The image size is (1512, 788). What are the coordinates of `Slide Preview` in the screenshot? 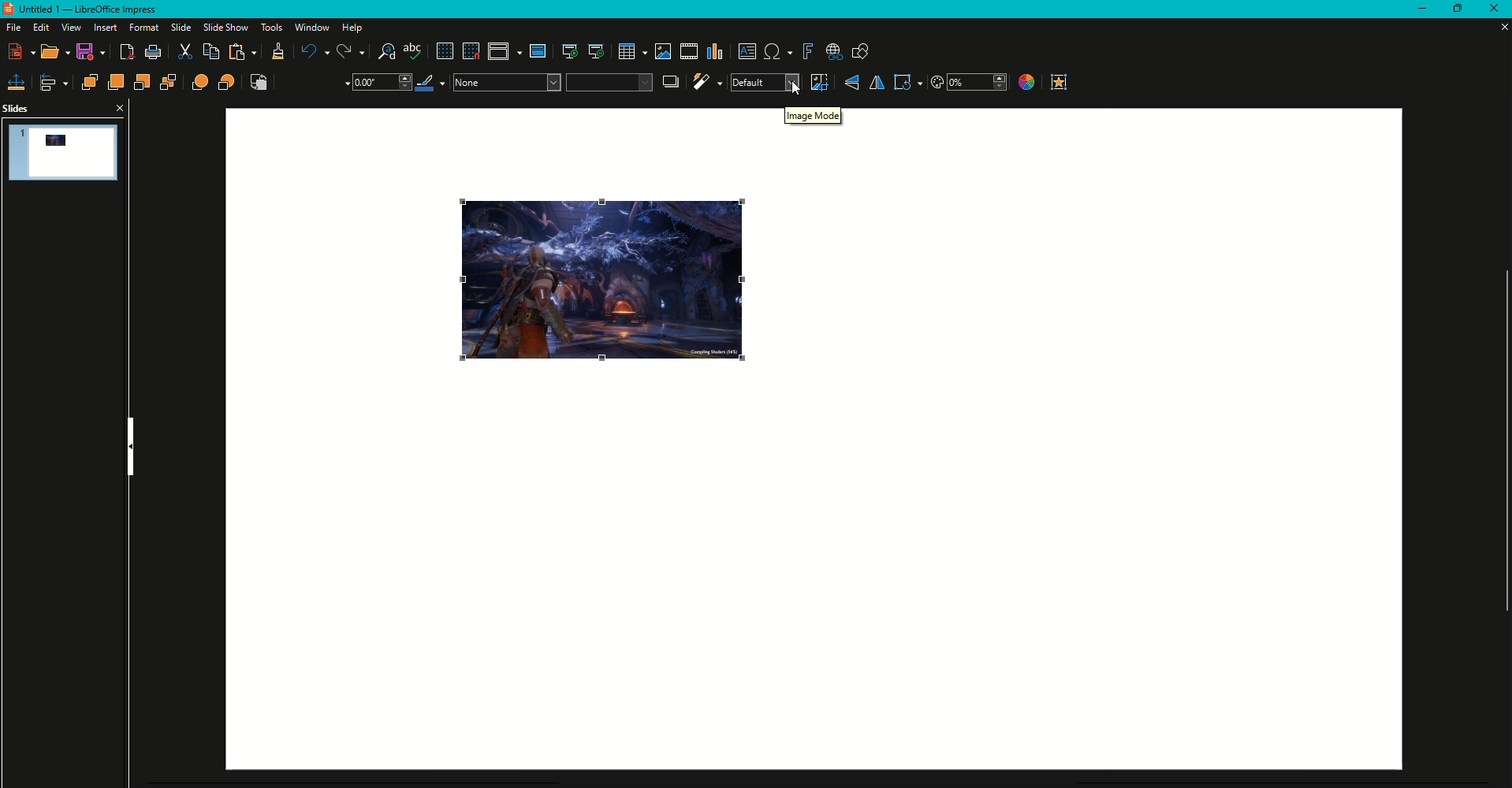 It's located at (65, 151).